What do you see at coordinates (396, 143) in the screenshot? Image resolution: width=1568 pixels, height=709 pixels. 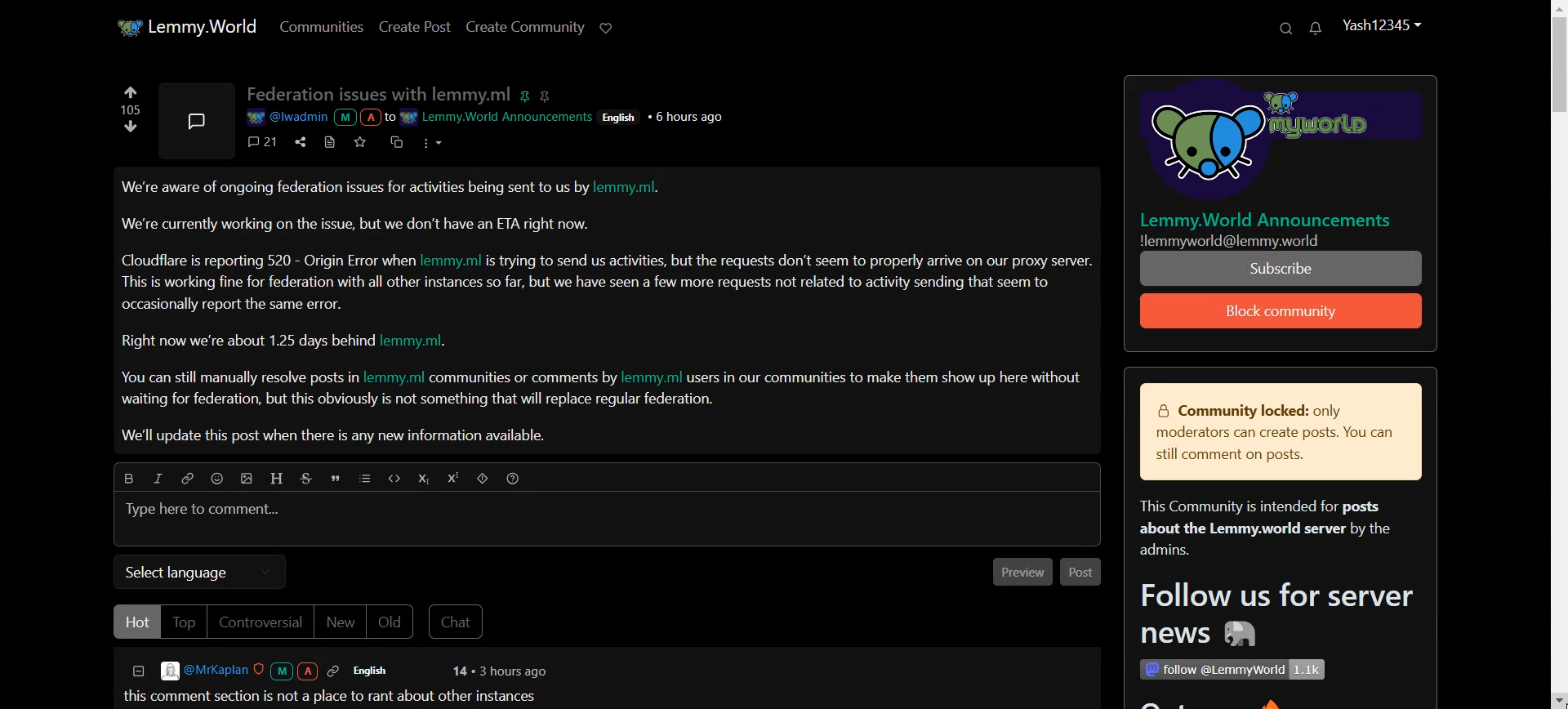 I see `Cross-Posts` at bounding box center [396, 143].